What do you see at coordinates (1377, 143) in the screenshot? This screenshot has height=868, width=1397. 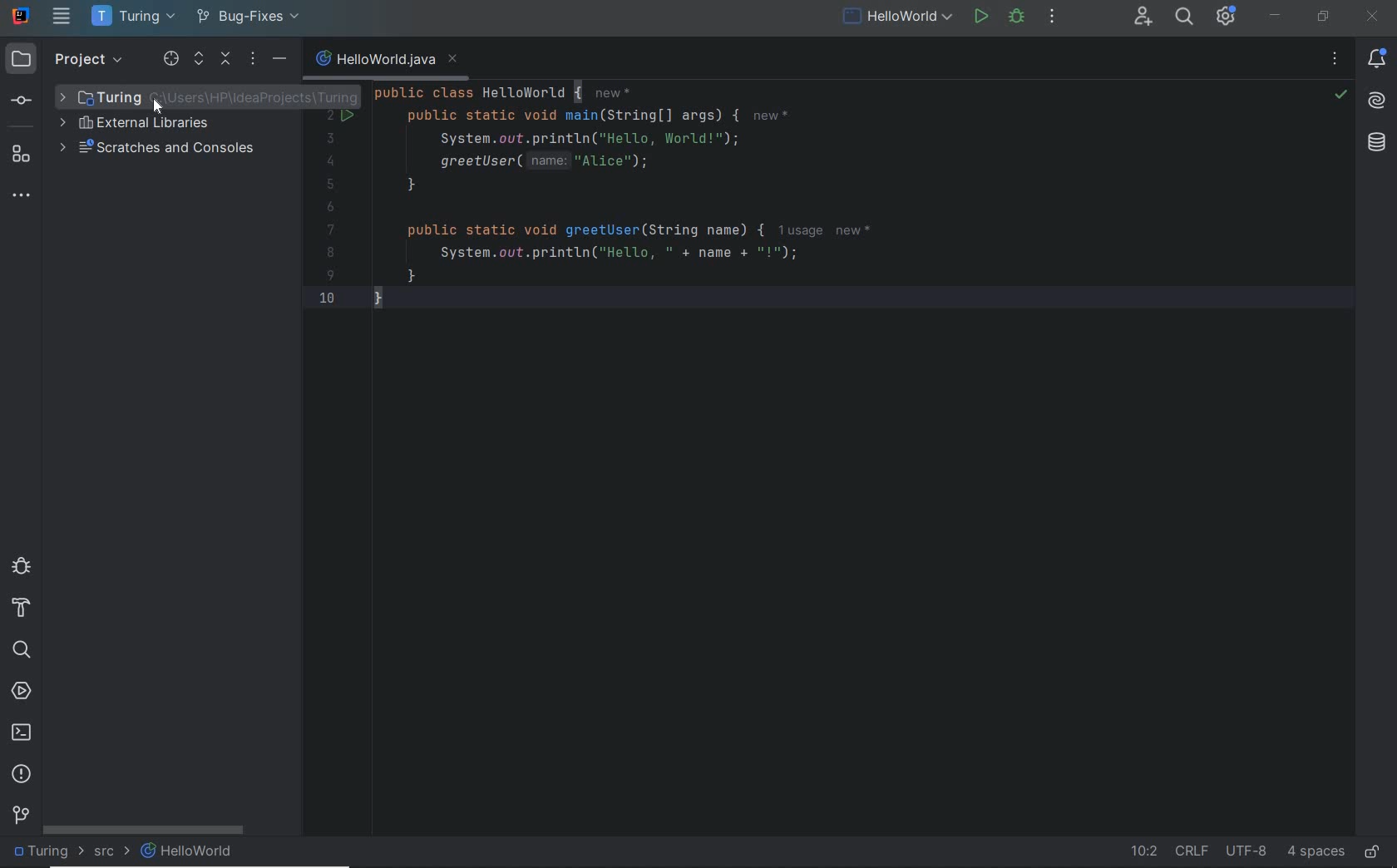 I see `database` at bounding box center [1377, 143].